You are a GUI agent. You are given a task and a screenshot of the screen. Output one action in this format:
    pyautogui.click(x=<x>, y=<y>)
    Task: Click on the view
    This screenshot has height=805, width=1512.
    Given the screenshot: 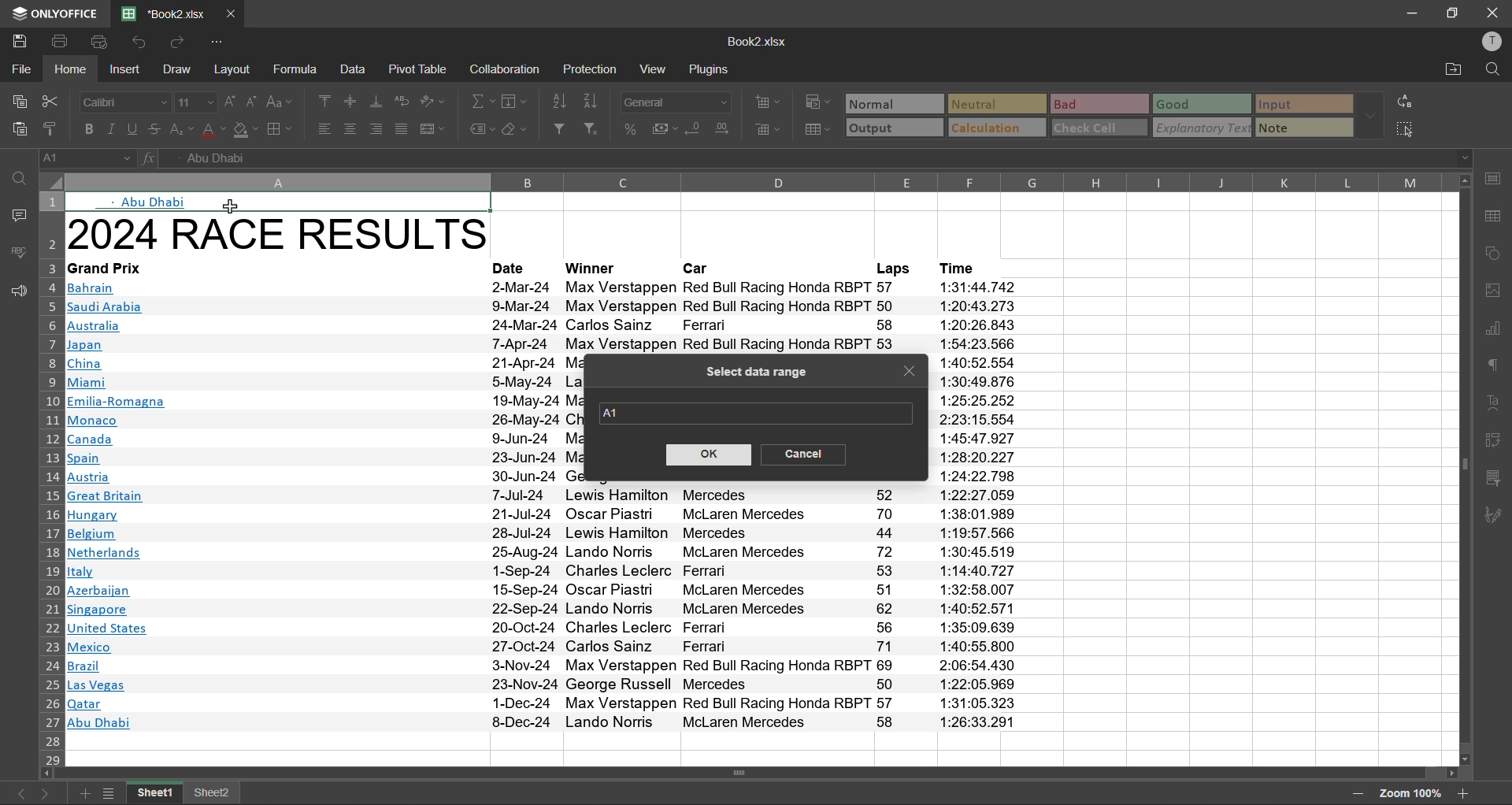 What is the action you would take?
    pyautogui.click(x=652, y=69)
    